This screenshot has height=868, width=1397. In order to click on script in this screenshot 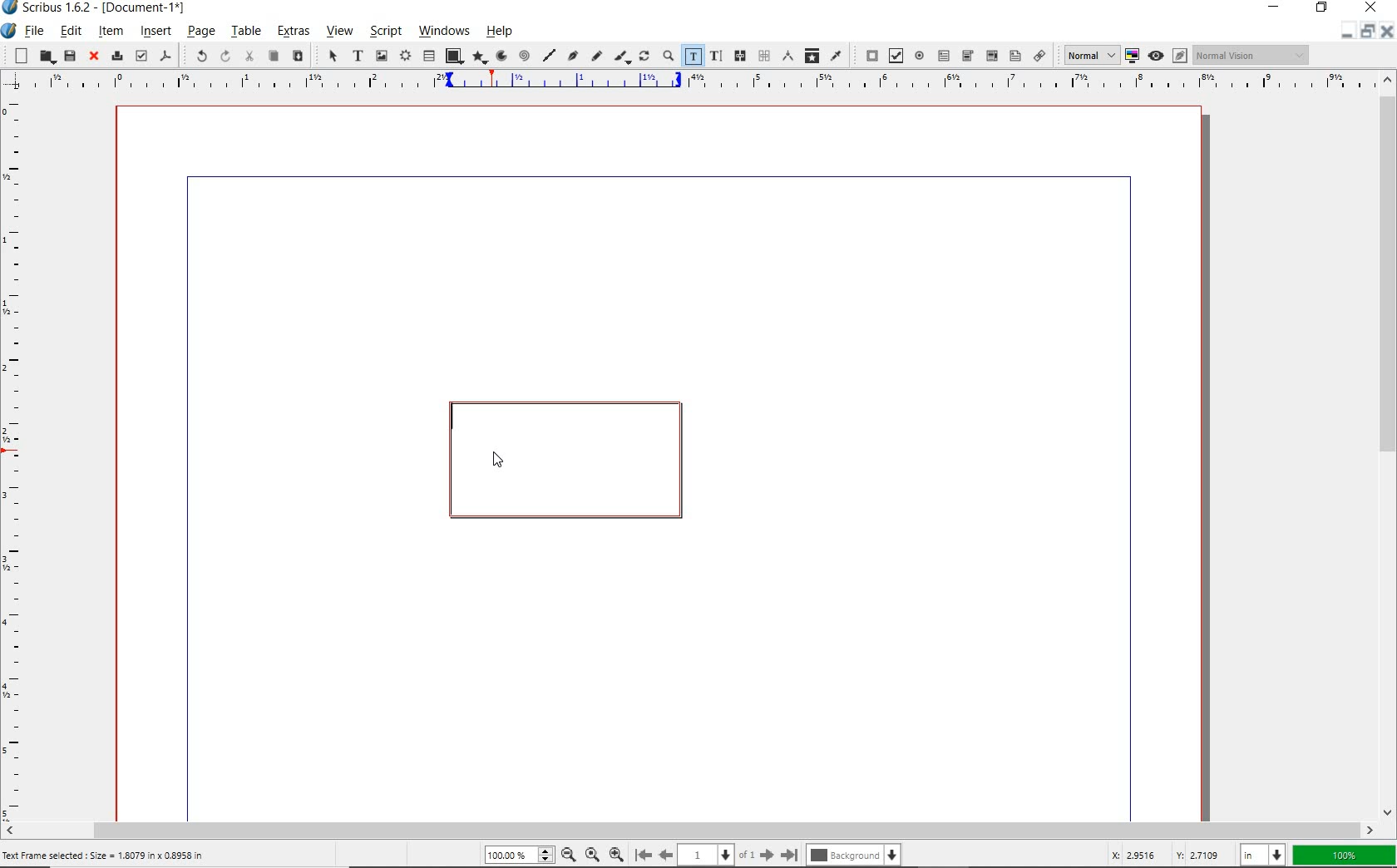, I will do `click(385, 30)`.